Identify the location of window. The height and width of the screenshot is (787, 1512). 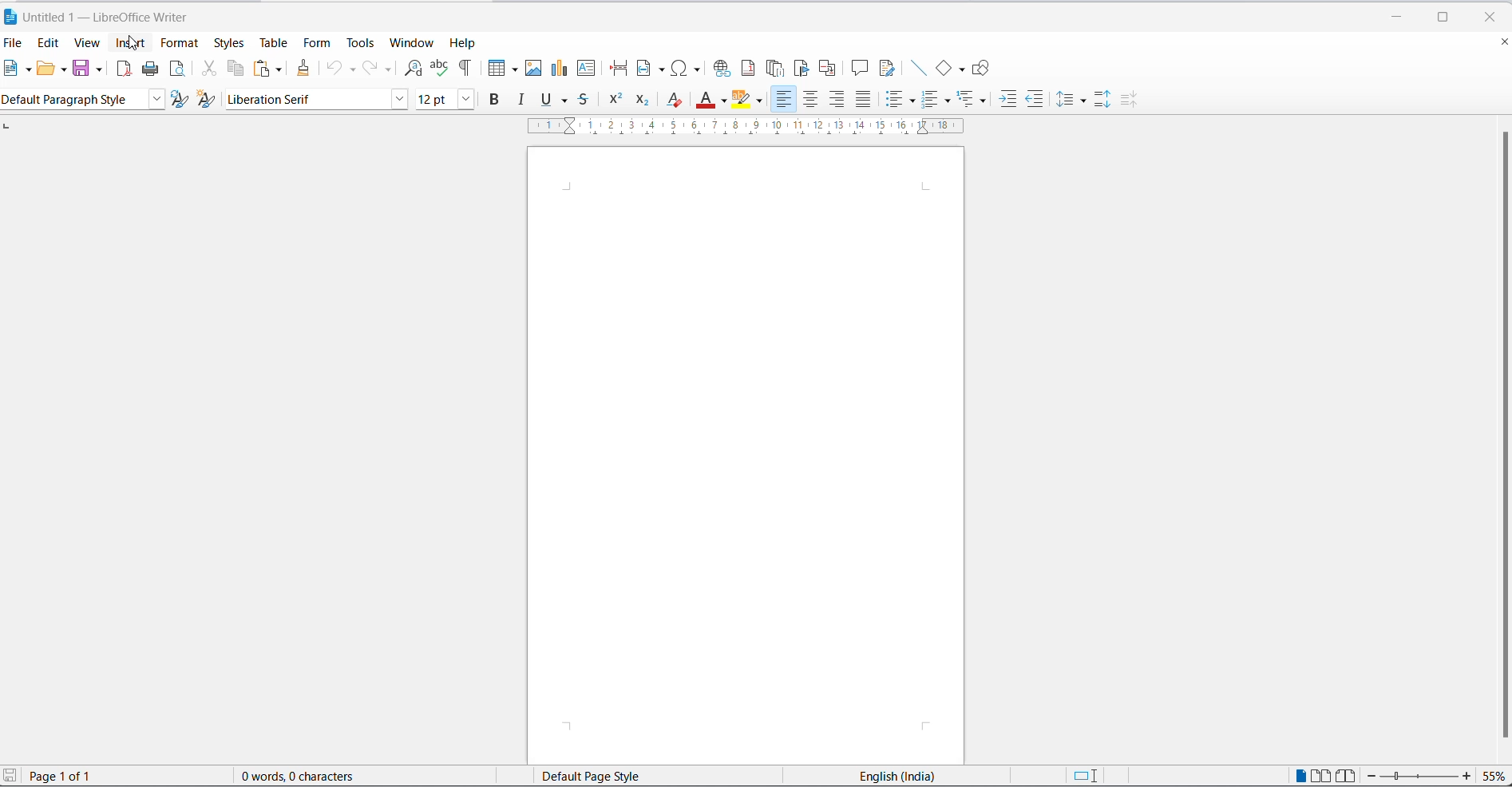
(415, 43).